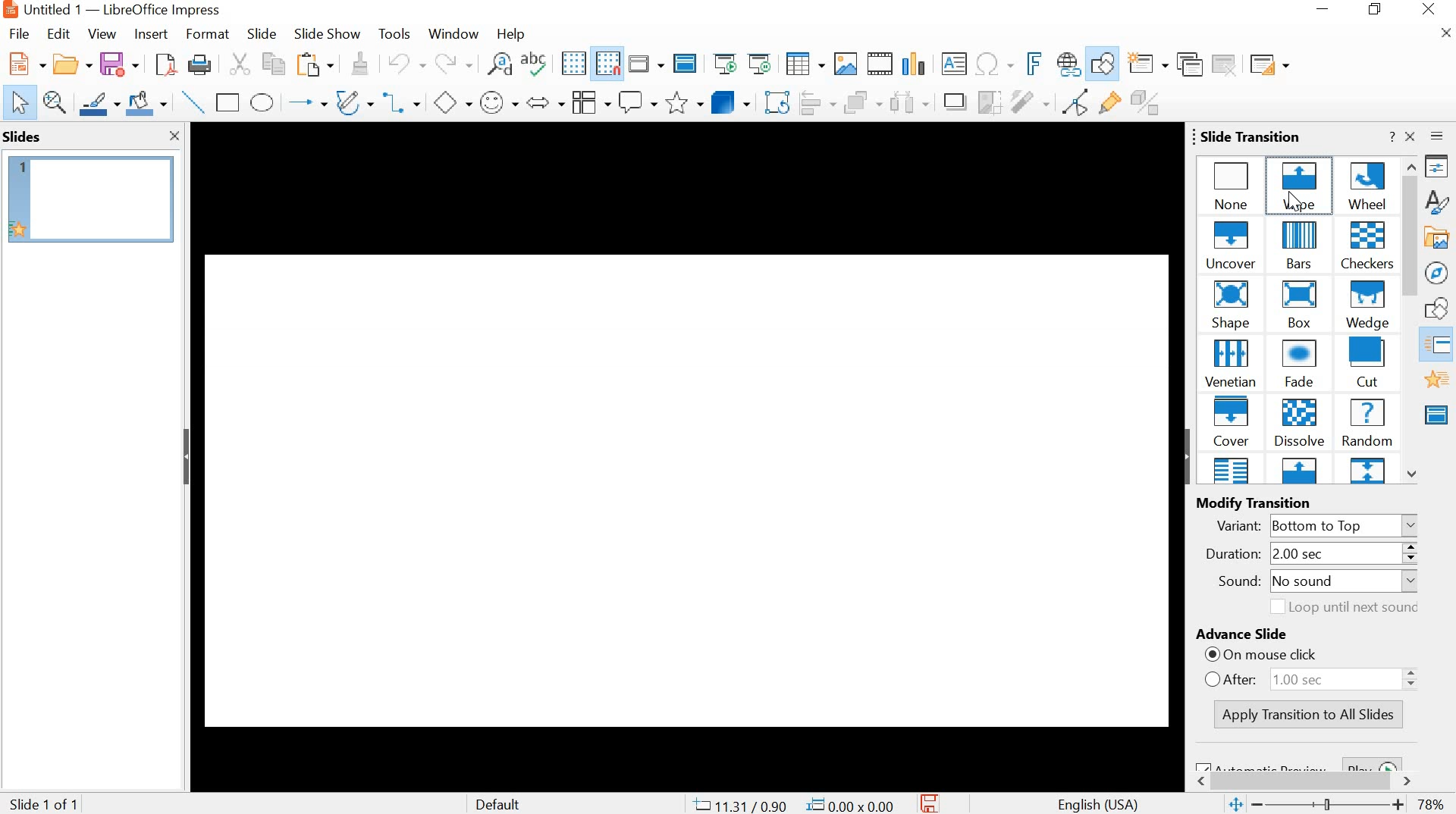  What do you see at coordinates (453, 64) in the screenshot?
I see `REDO` at bounding box center [453, 64].